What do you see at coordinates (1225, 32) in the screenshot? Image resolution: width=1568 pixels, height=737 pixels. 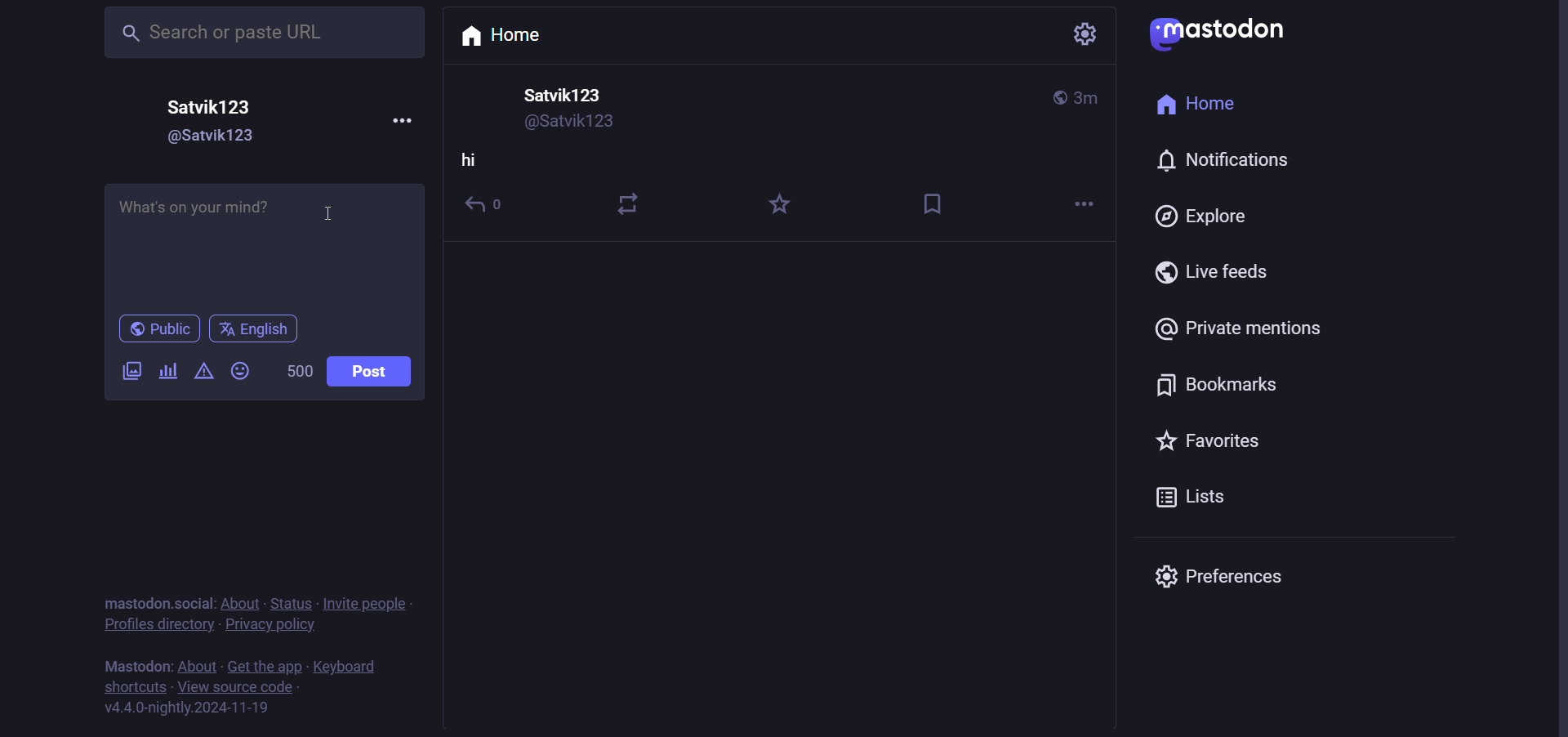 I see `mastodon` at bounding box center [1225, 32].